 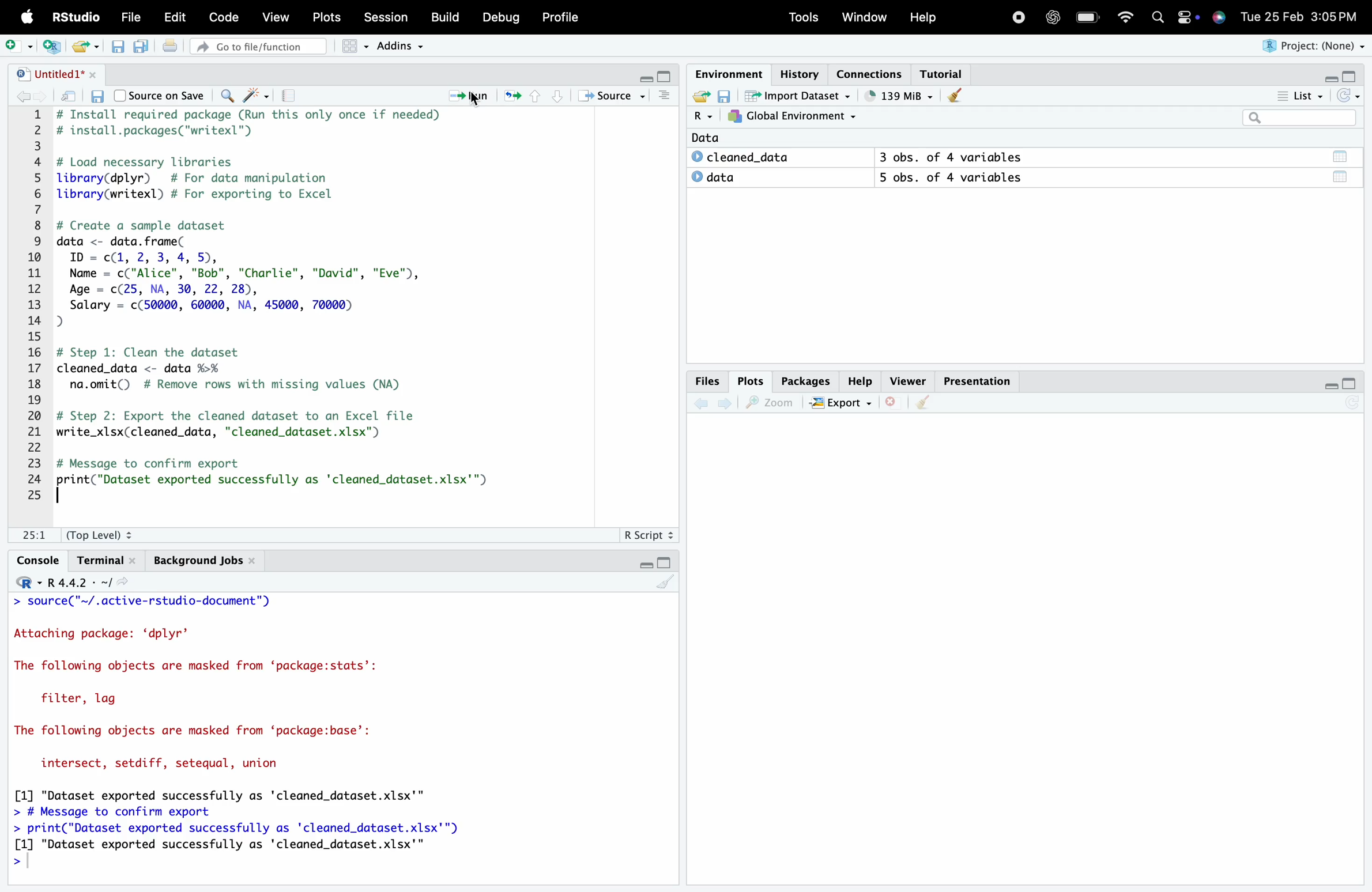 What do you see at coordinates (668, 584) in the screenshot?
I see `Clear console` at bounding box center [668, 584].